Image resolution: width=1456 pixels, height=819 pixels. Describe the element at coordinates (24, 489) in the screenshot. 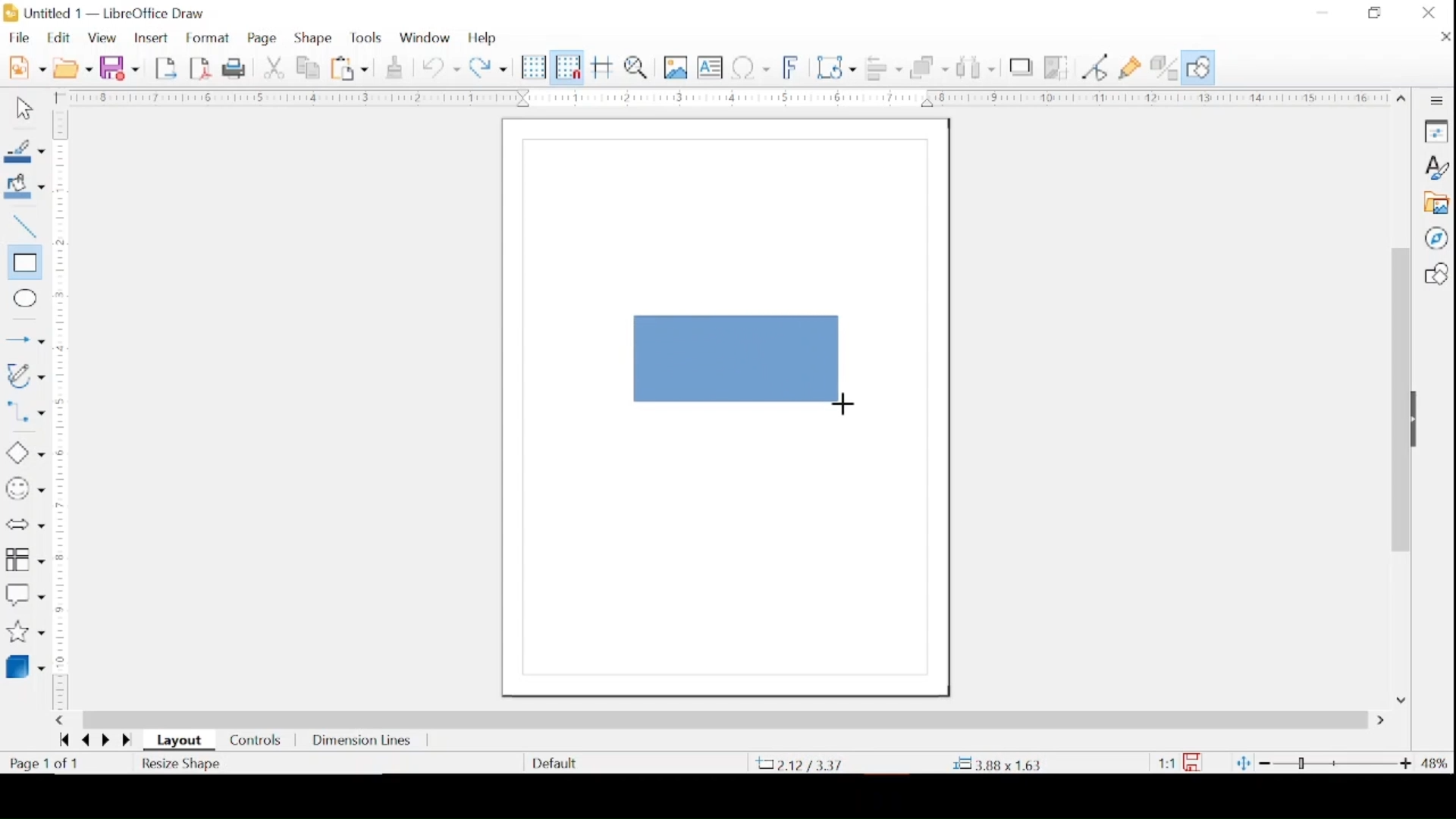

I see `symbols and shapes` at that location.